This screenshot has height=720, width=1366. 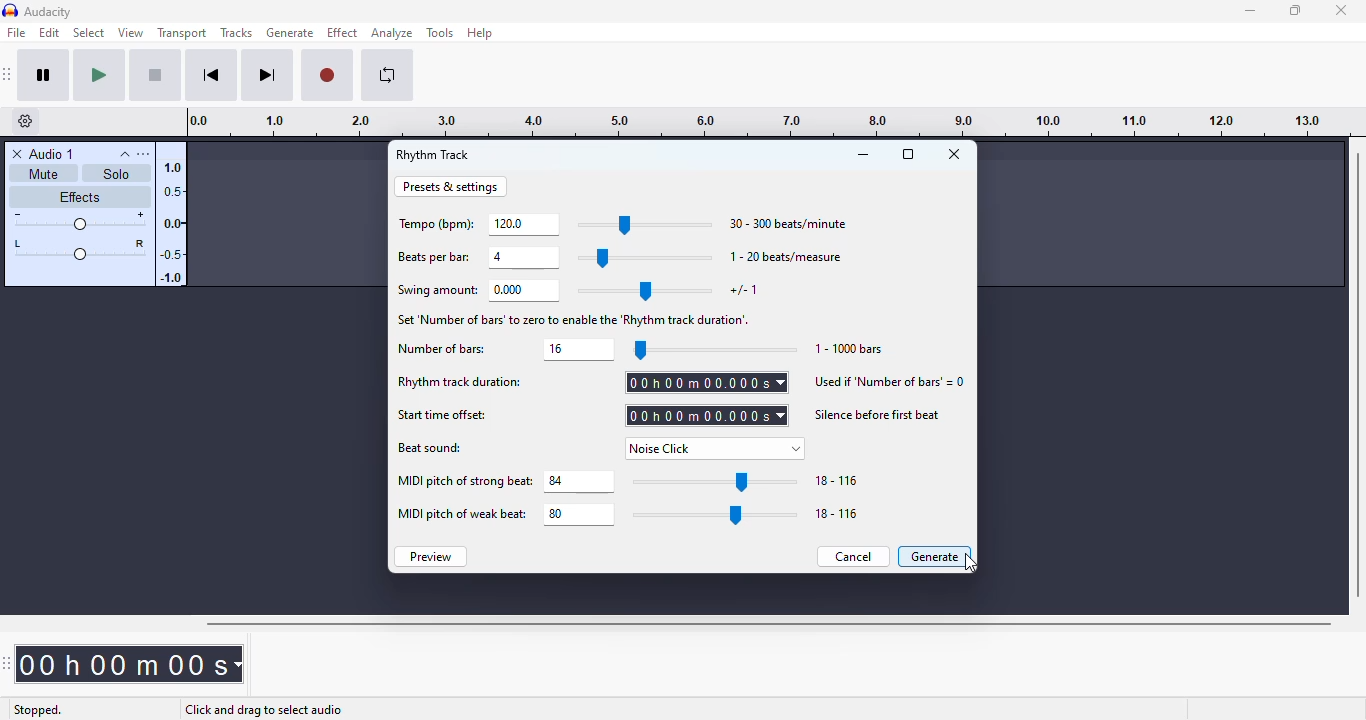 What do you see at coordinates (462, 515) in the screenshot?
I see `MIDI pitch of weak beat` at bounding box center [462, 515].